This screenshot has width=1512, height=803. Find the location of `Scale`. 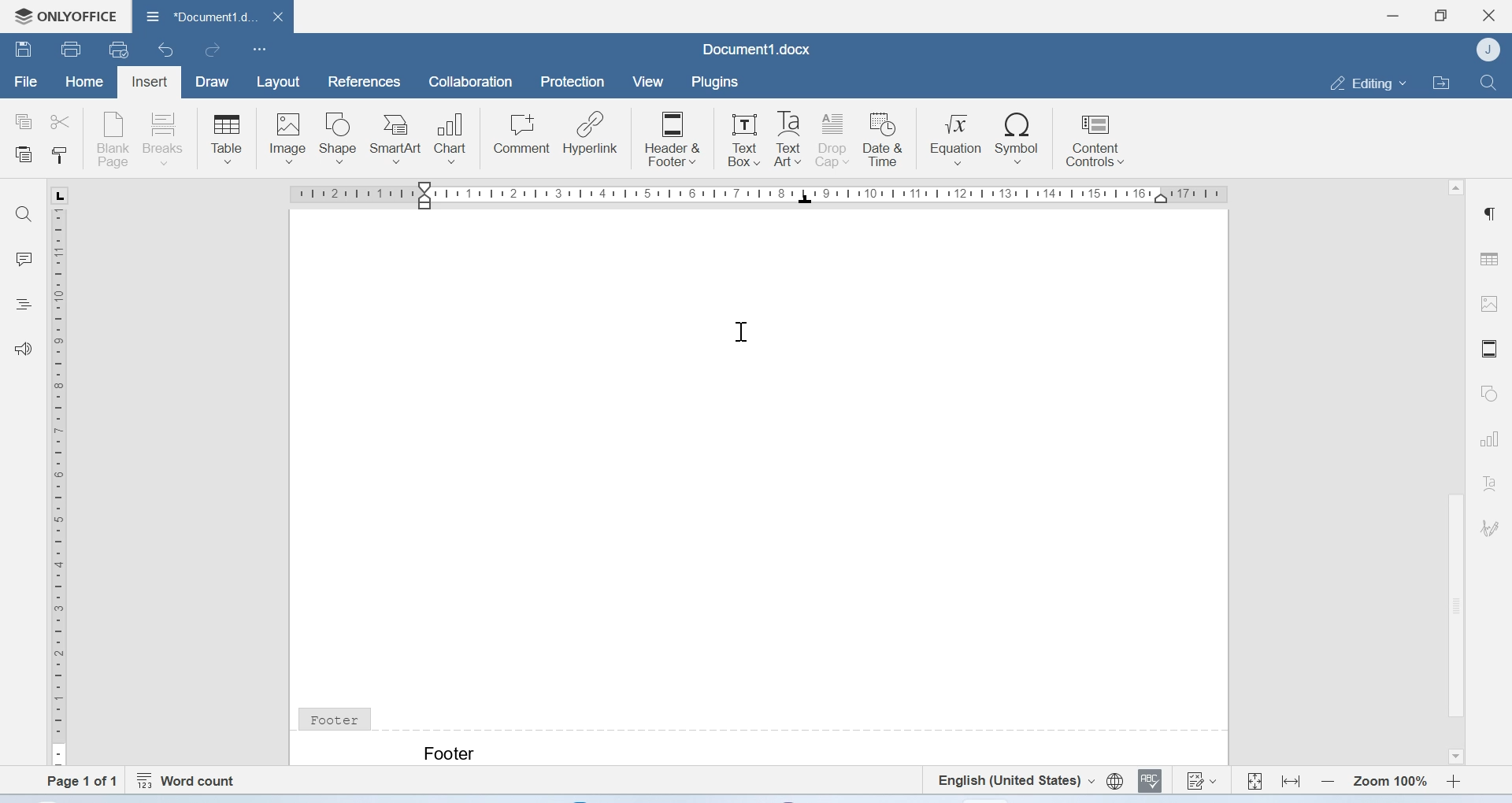

Scale is located at coordinates (61, 483).